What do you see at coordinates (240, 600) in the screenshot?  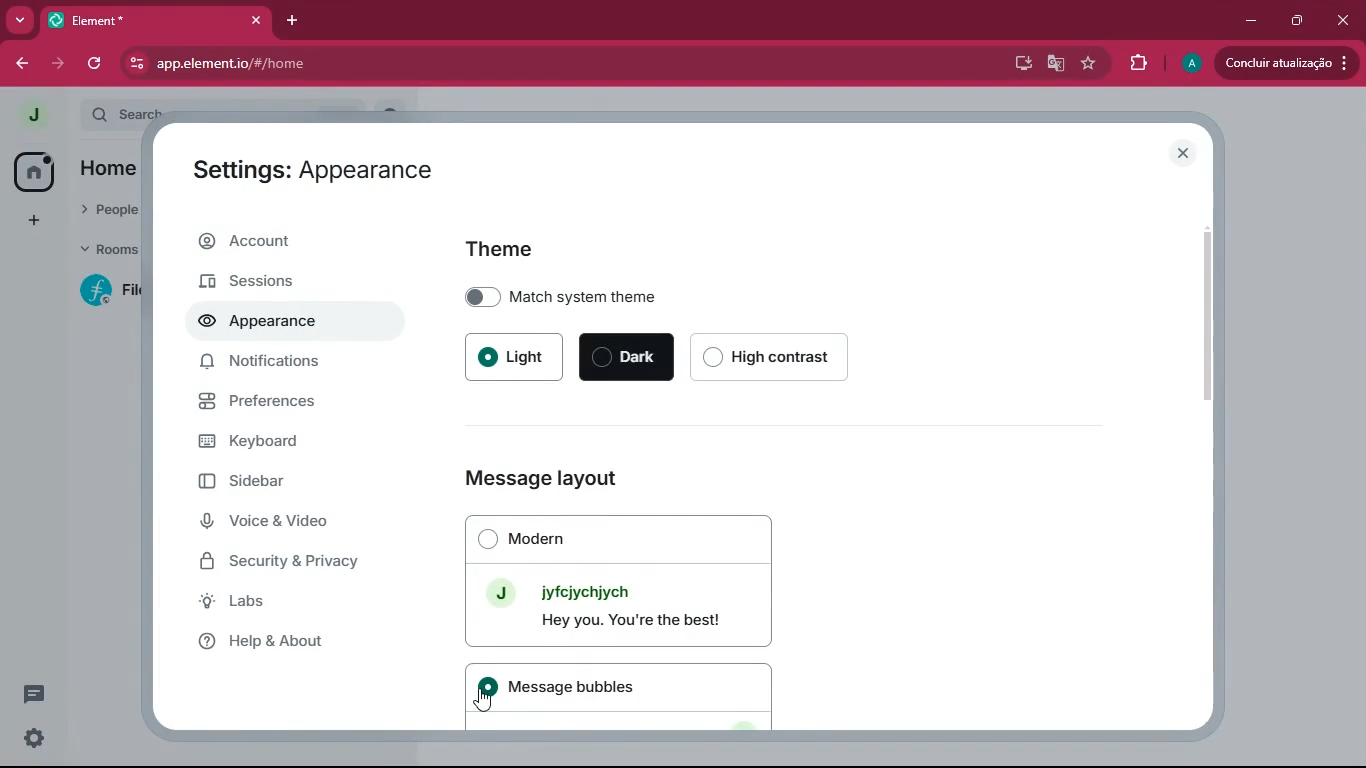 I see `Labs` at bounding box center [240, 600].